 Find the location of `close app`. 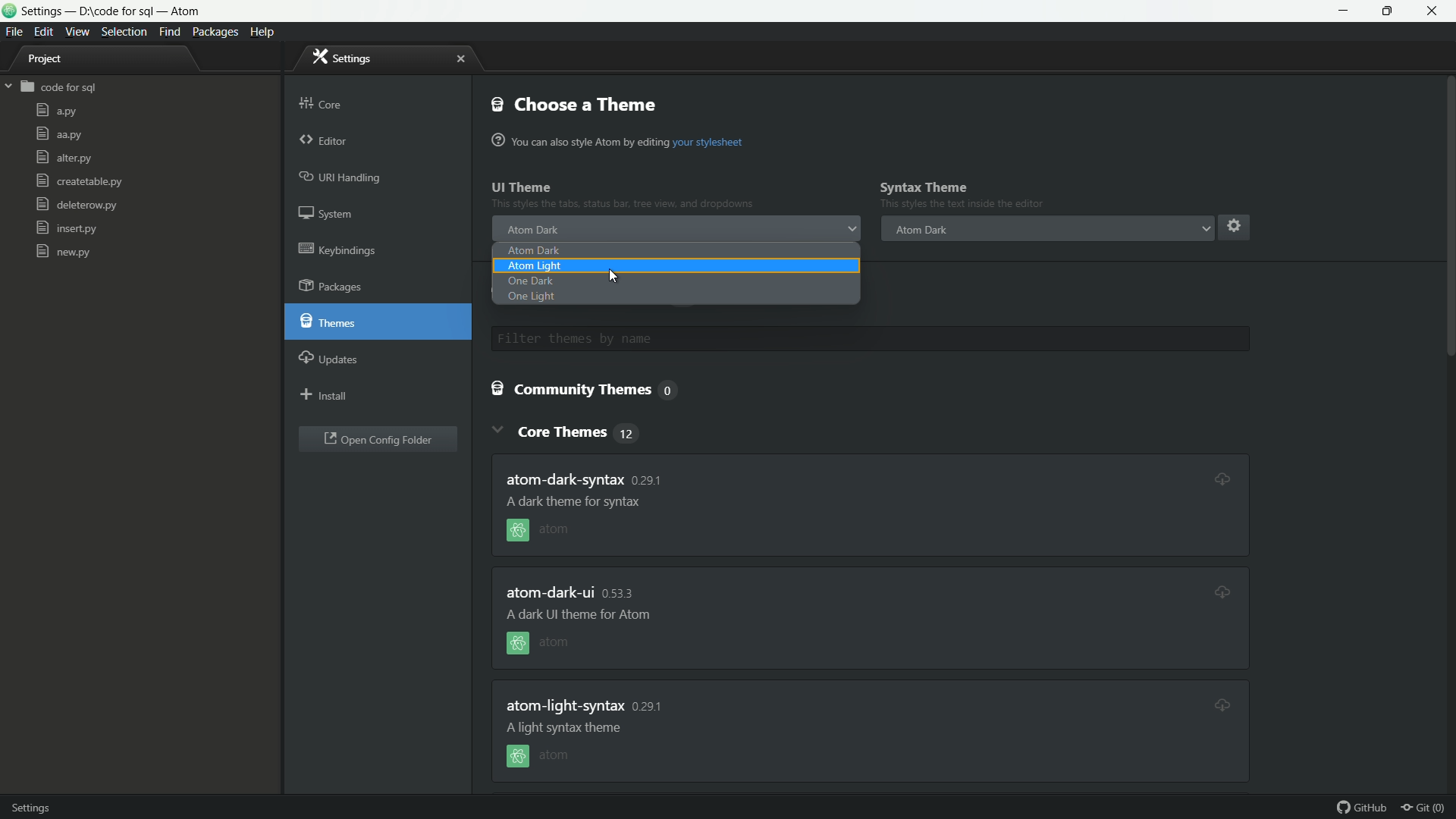

close app is located at coordinates (1437, 11).